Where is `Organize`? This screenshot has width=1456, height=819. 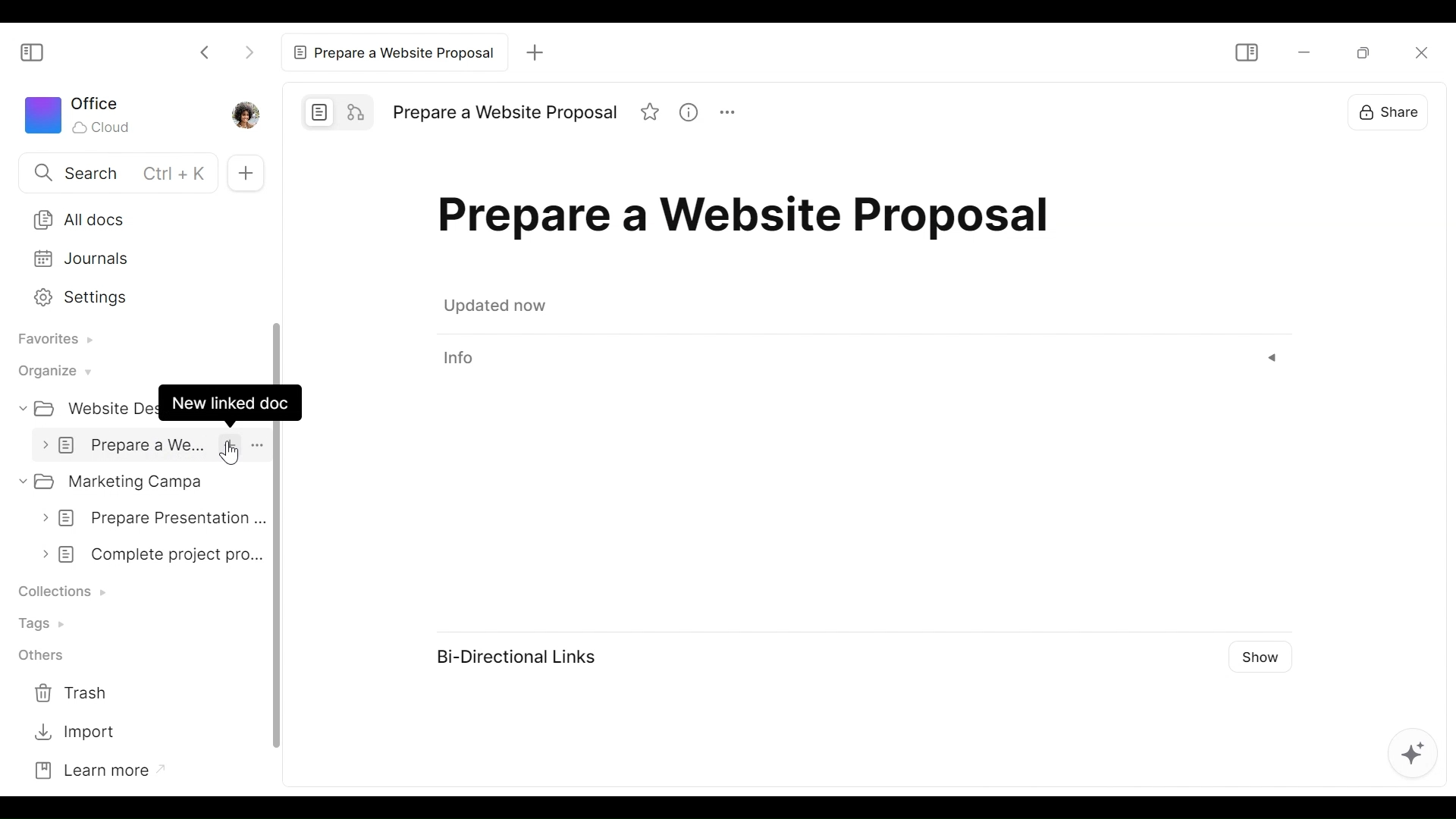
Organize is located at coordinates (51, 372).